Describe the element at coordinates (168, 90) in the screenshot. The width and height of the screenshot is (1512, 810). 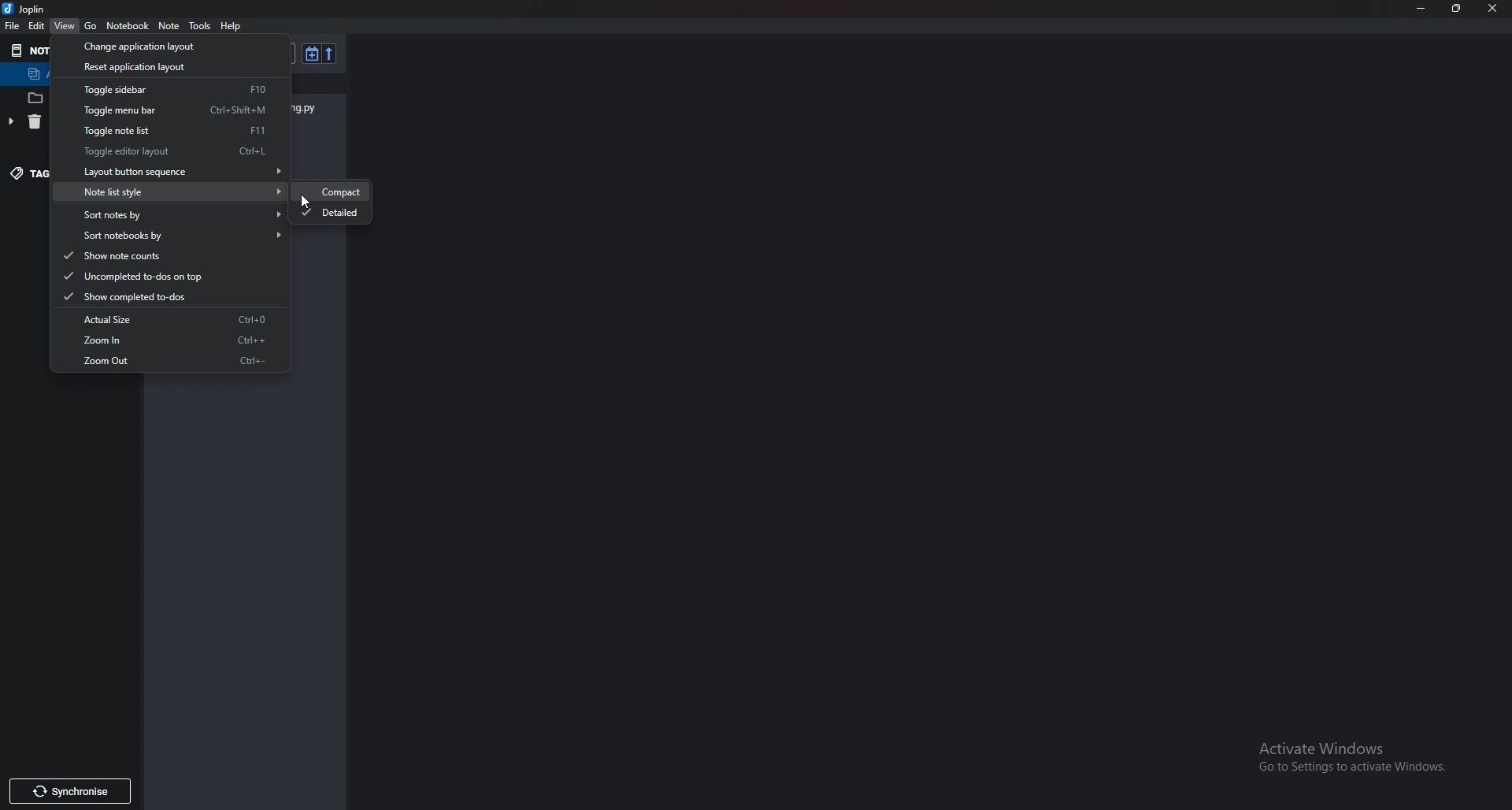
I see `Toggle sidebar` at that location.